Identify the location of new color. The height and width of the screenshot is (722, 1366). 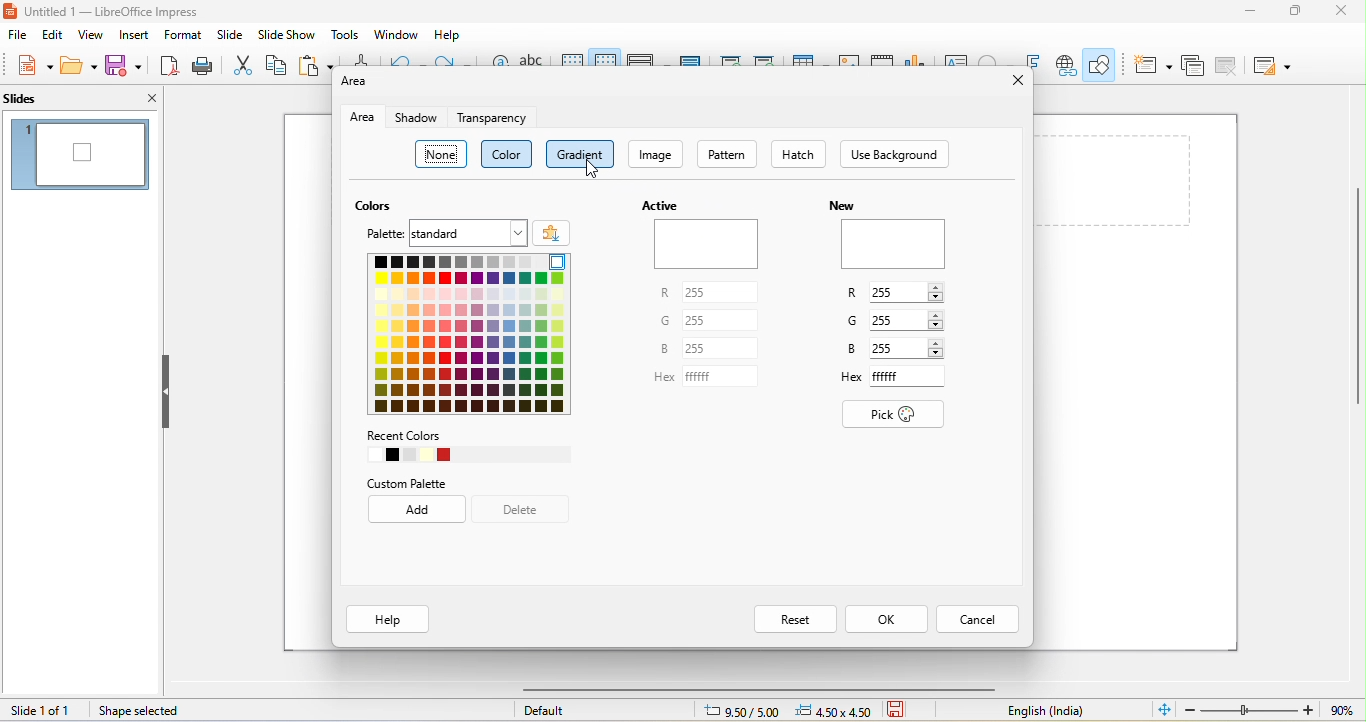
(895, 245).